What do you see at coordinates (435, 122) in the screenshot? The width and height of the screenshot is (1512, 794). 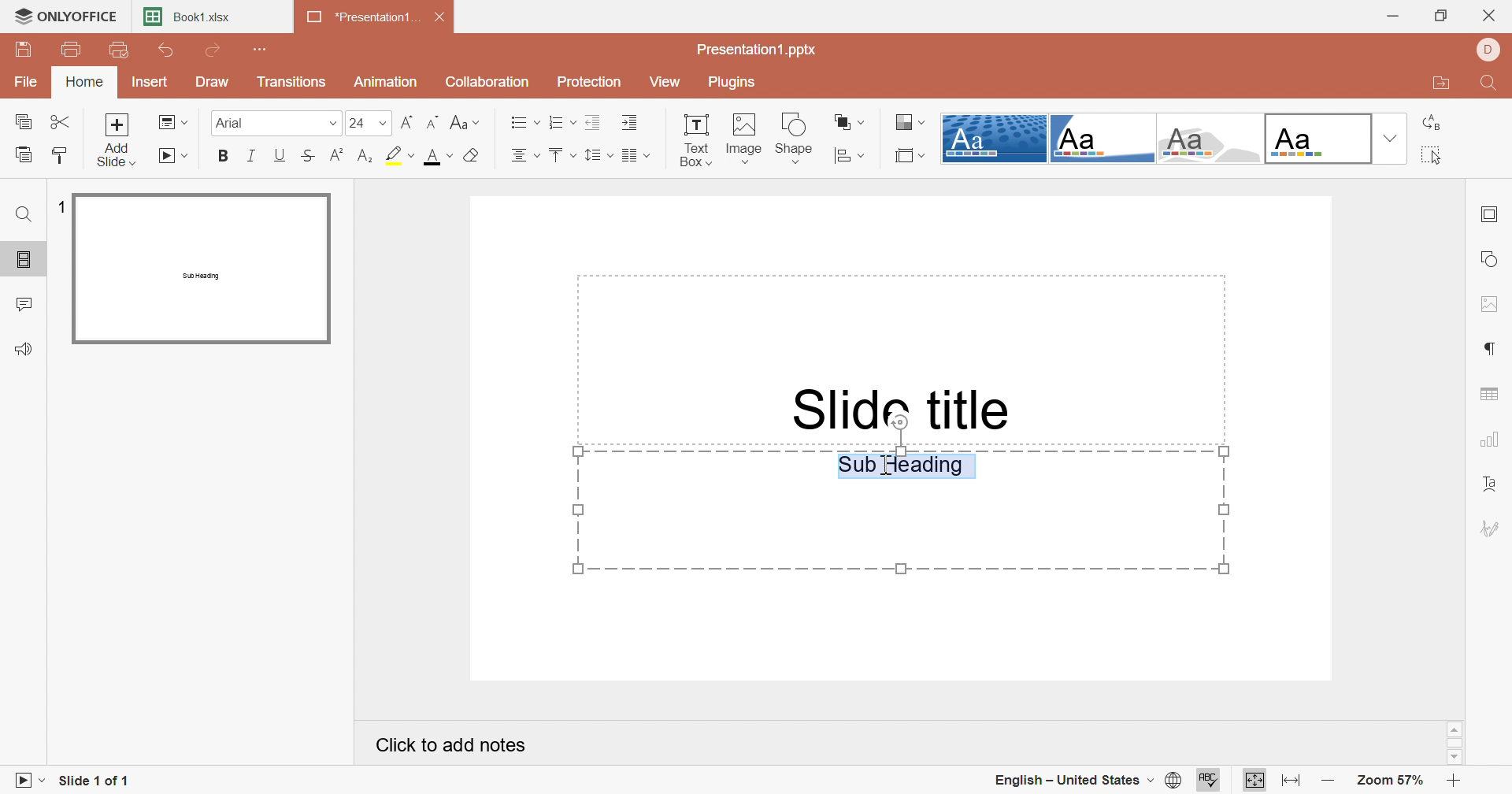 I see `Increment font size` at bounding box center [435, 122].